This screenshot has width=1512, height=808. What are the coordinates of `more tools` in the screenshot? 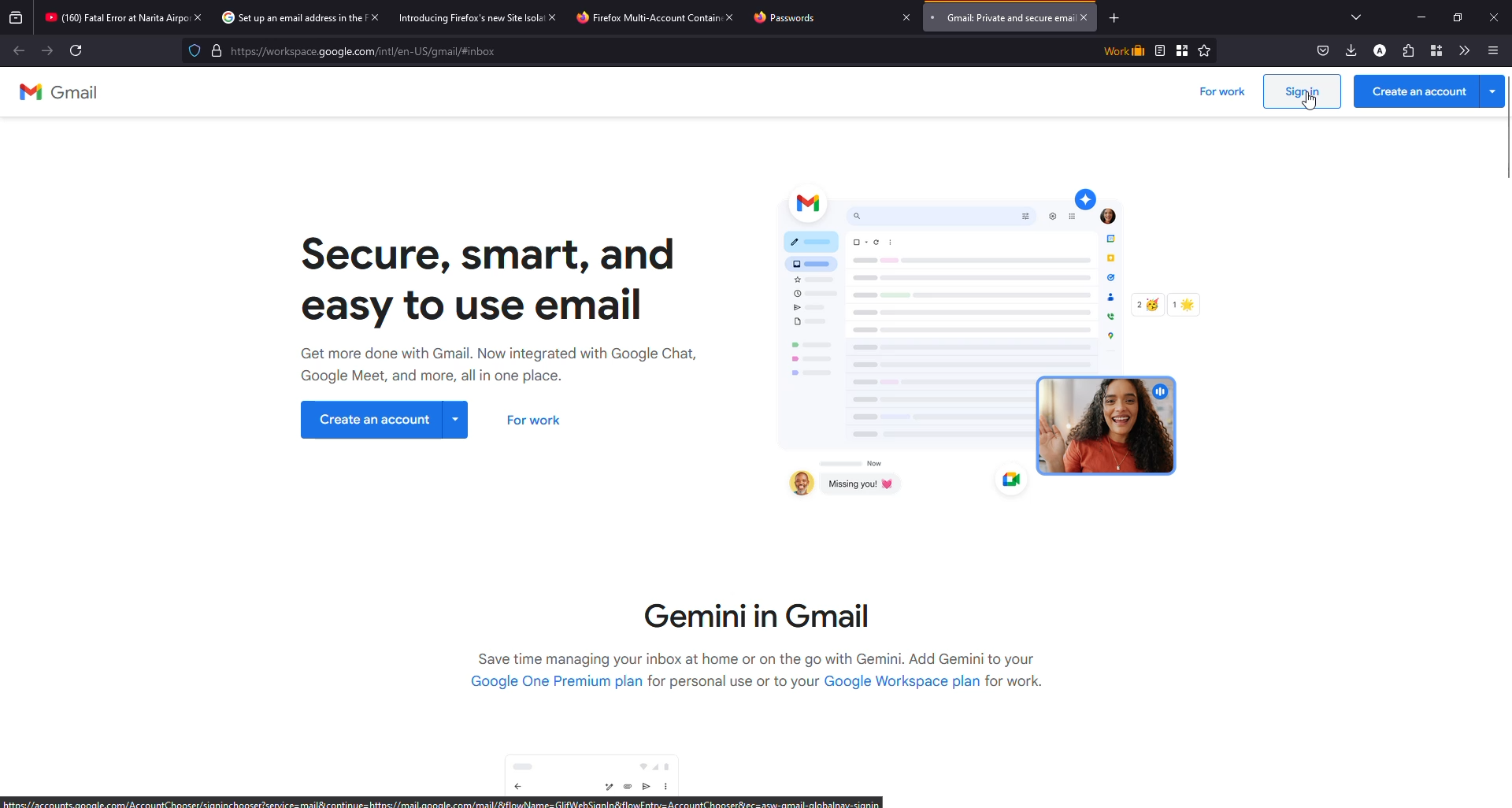 It's located at (1462, 49).